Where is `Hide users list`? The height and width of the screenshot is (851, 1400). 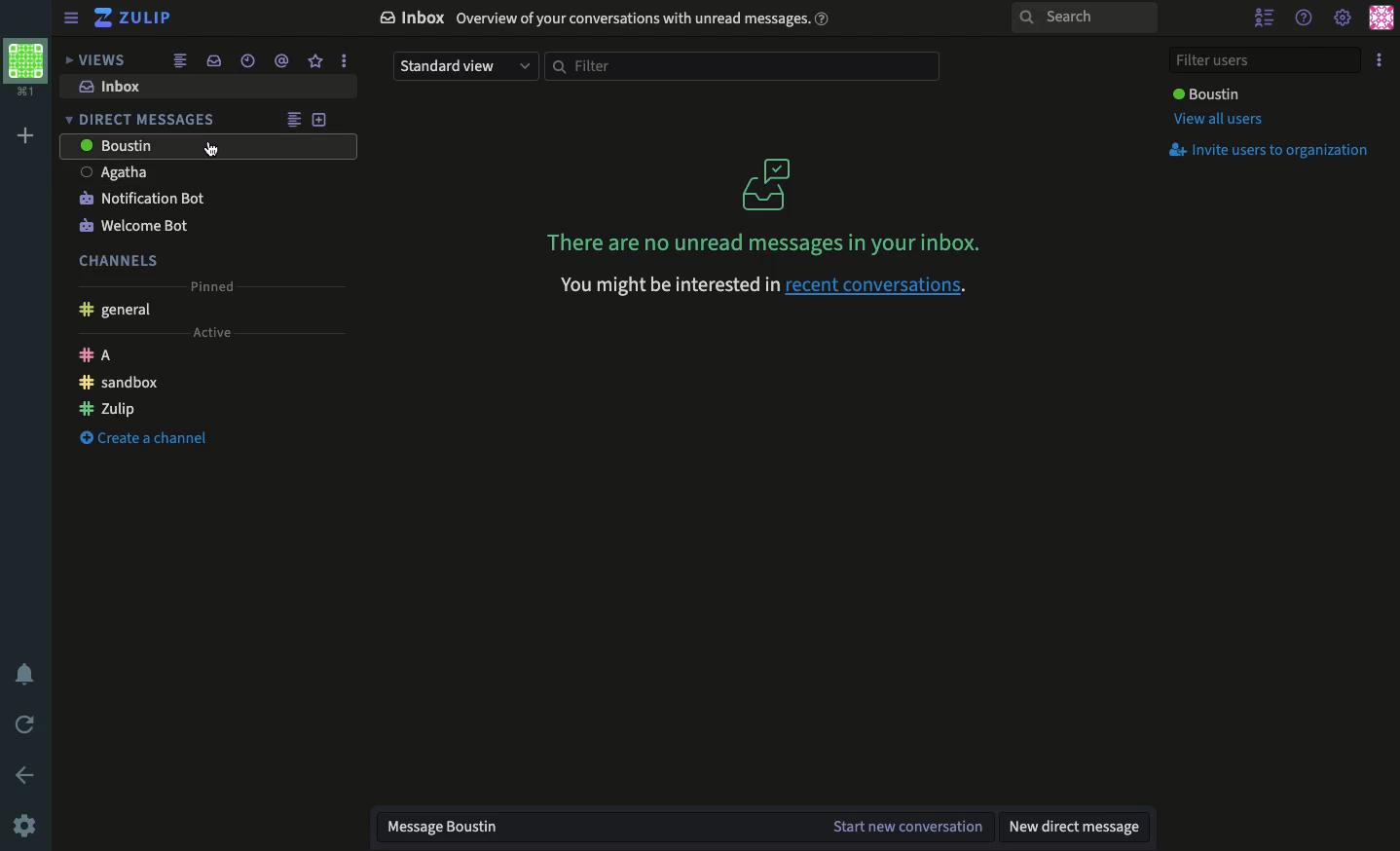
Hide users list is located at coordinates (1266, 17).